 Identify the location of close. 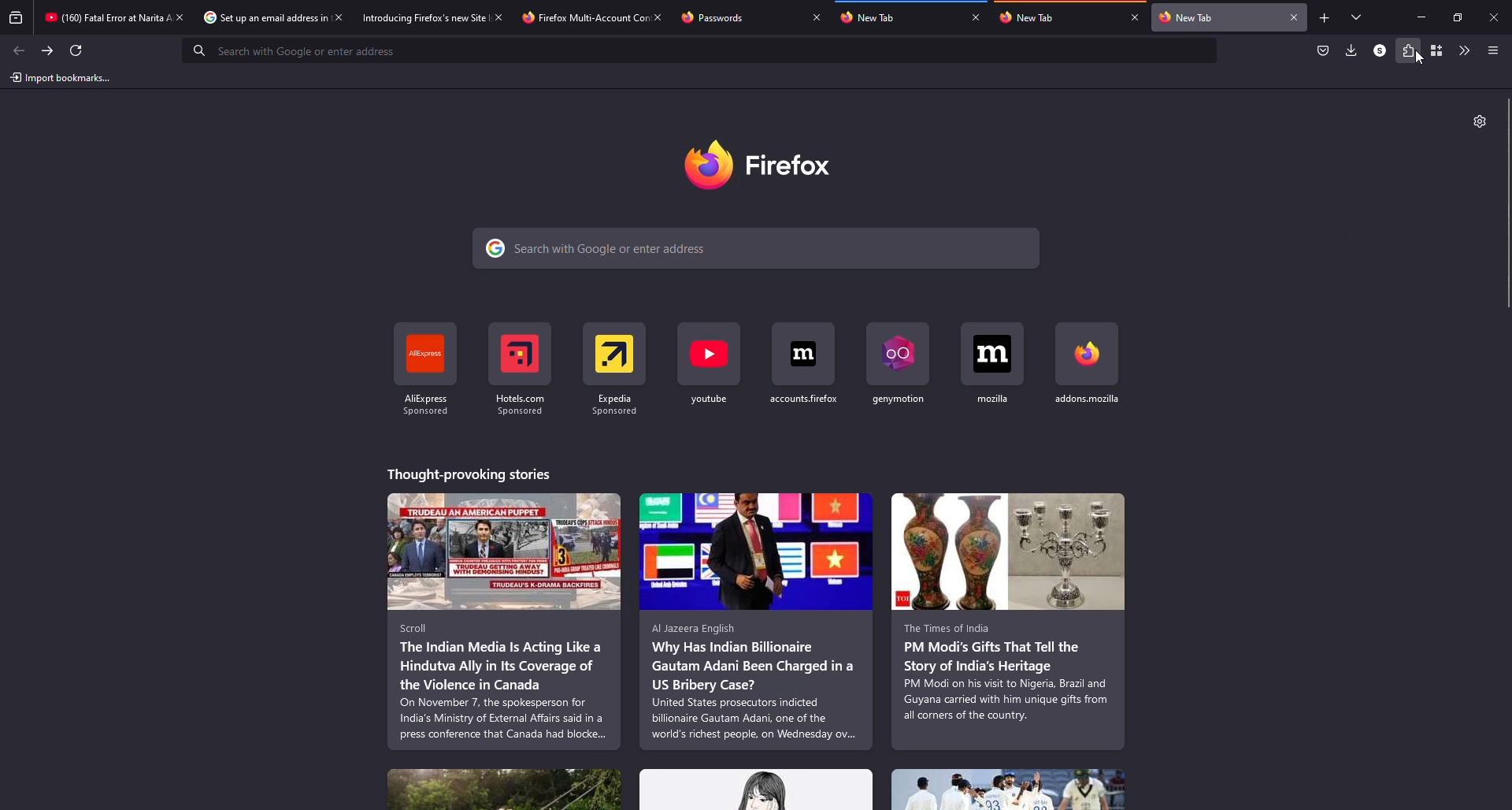
(975, 17).